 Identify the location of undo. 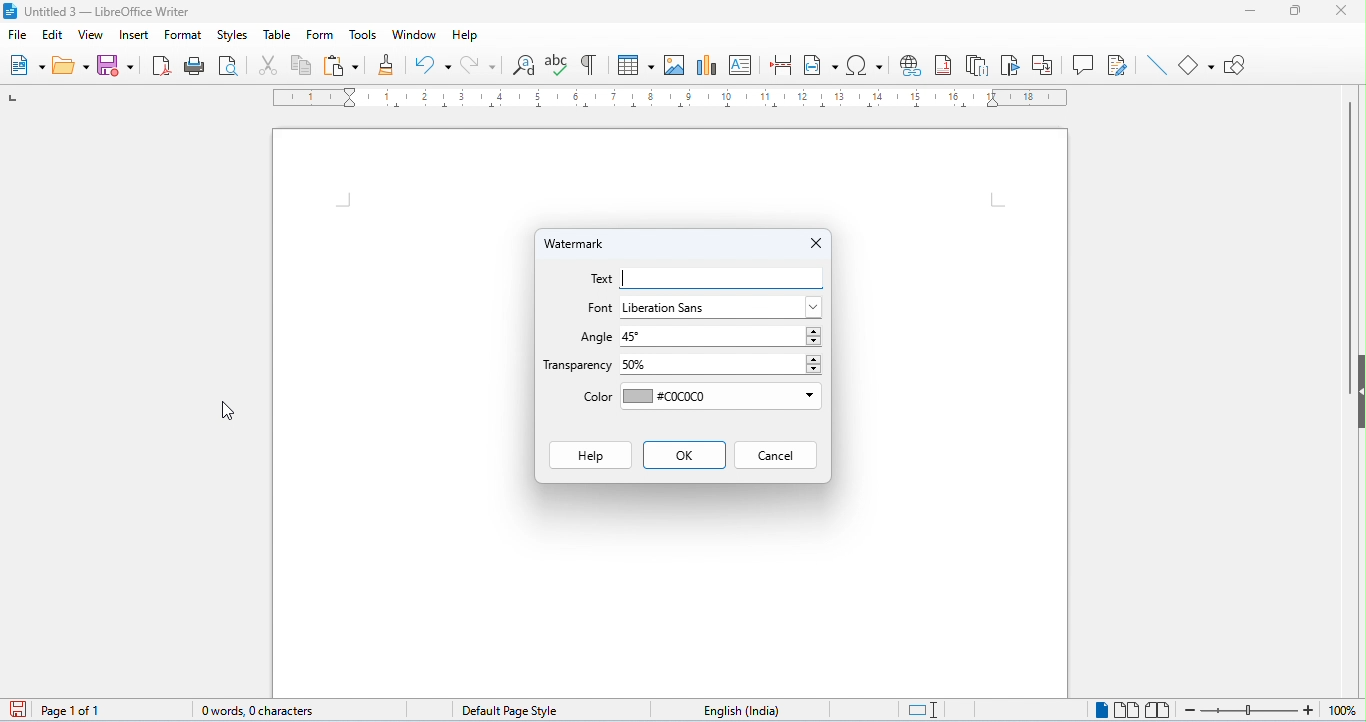
(433, 64).